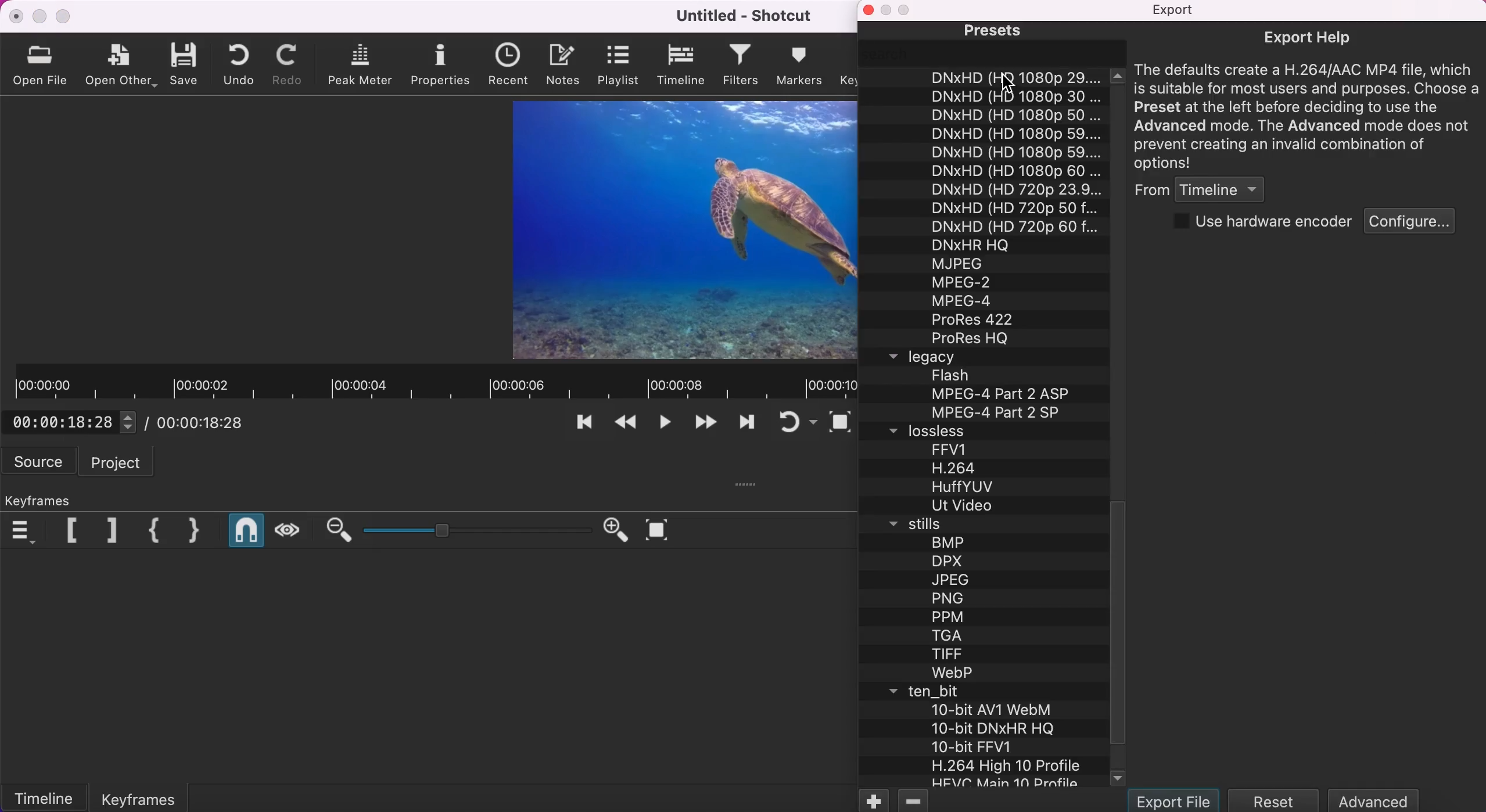 The width and height of the screenshot is (1486, 812). Describe the element at coordinates (681, 66) in the screenshot. I see `timeline` at that location.